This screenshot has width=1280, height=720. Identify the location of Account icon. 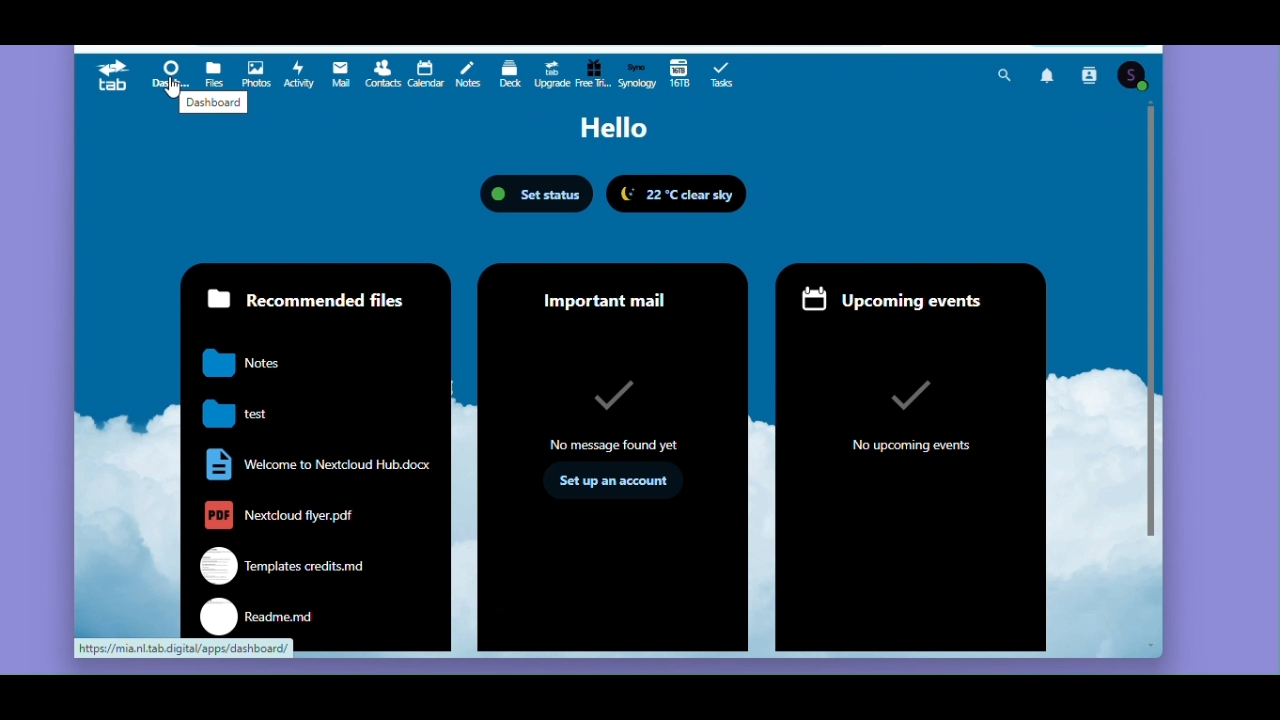
(1134, 72).